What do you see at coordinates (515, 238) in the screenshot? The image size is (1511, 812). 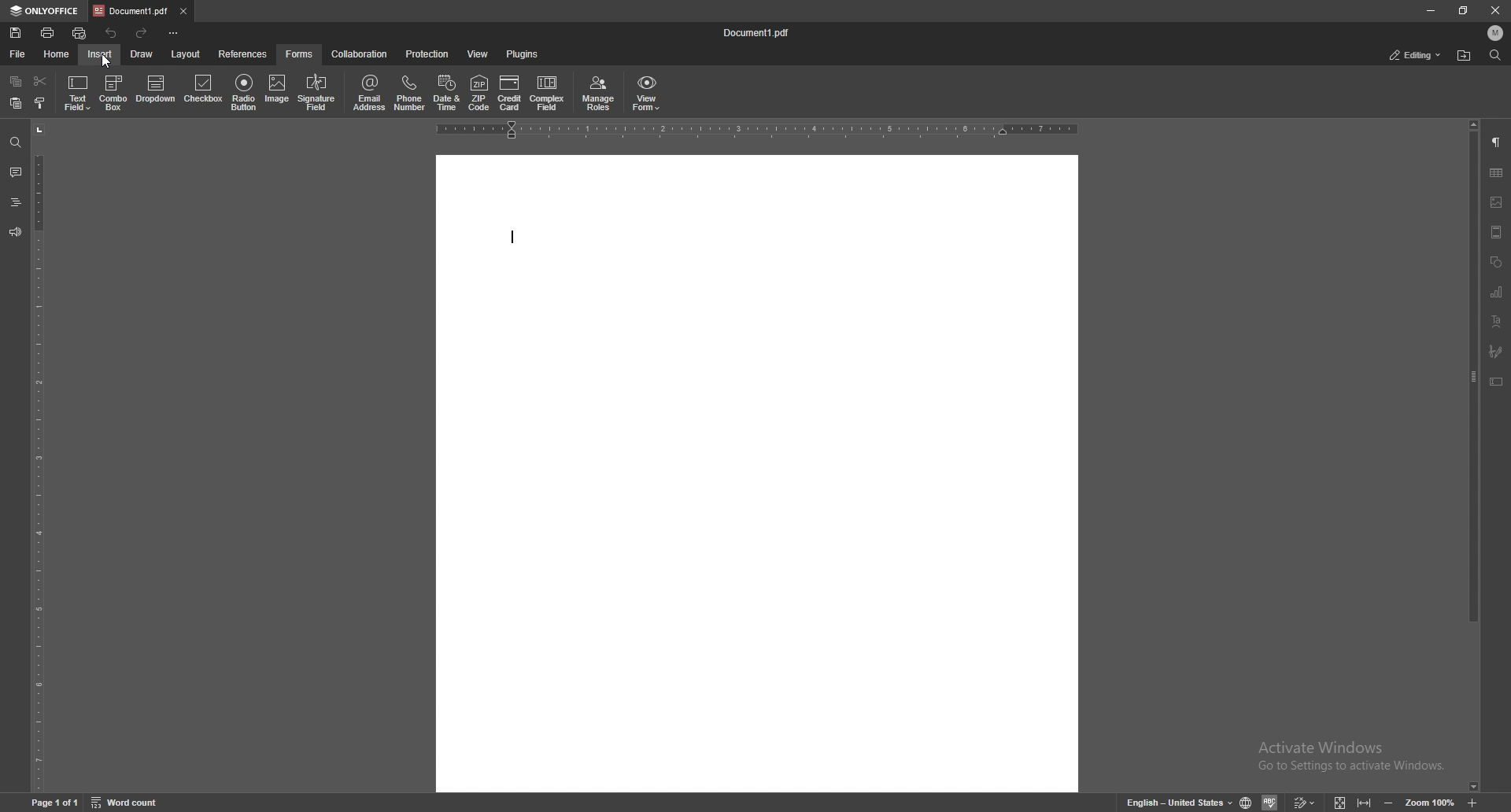 I see `text cursor` at bounding box center [515, 238].